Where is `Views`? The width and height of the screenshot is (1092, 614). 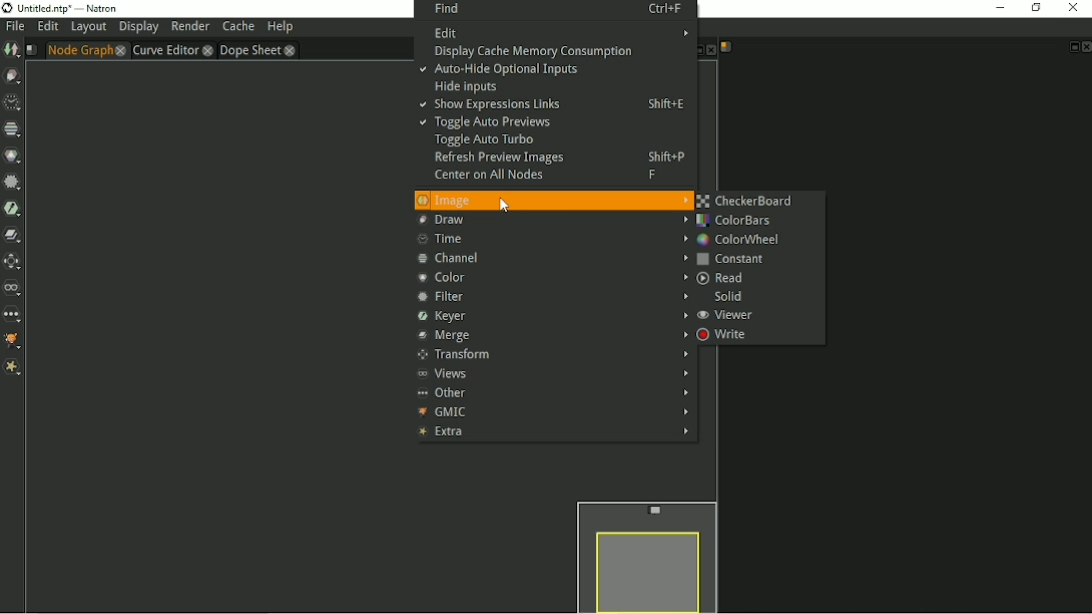 Views is located at coordinates (553, 374).